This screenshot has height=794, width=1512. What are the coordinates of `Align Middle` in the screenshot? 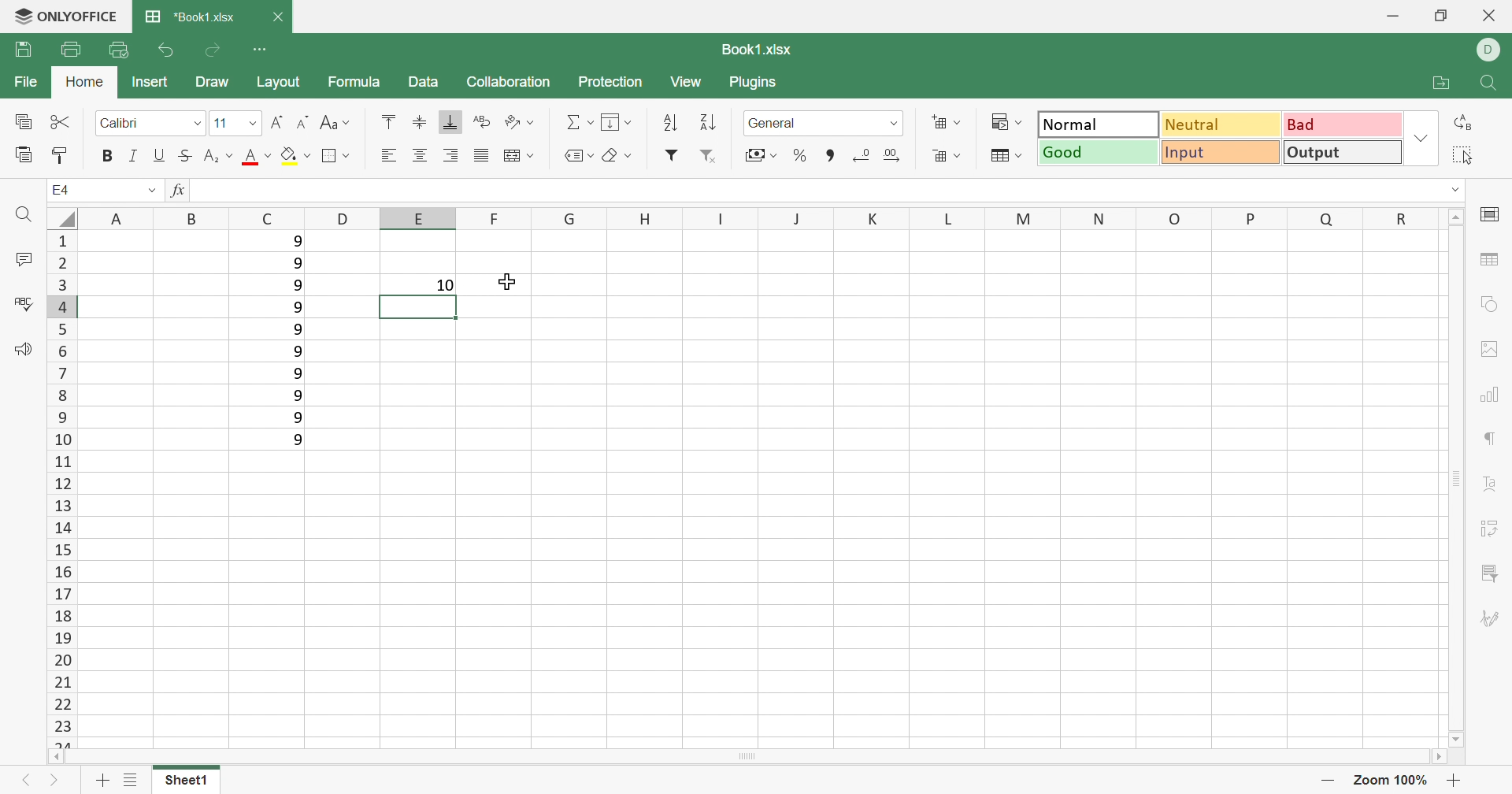 It's located at (420, 122).